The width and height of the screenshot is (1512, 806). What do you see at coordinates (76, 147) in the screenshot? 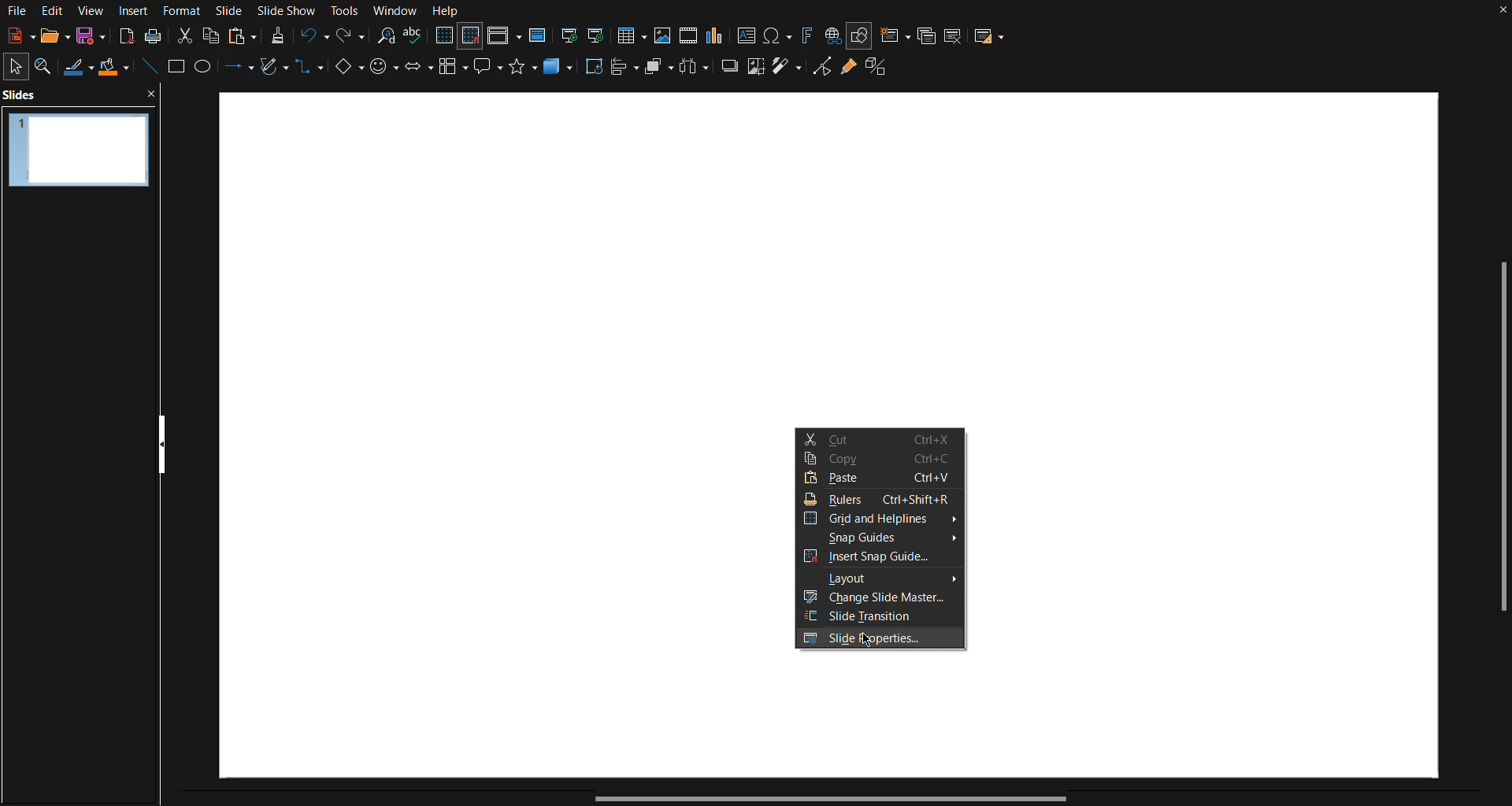
I see `Slide 1` at bounding box center [76, 147].